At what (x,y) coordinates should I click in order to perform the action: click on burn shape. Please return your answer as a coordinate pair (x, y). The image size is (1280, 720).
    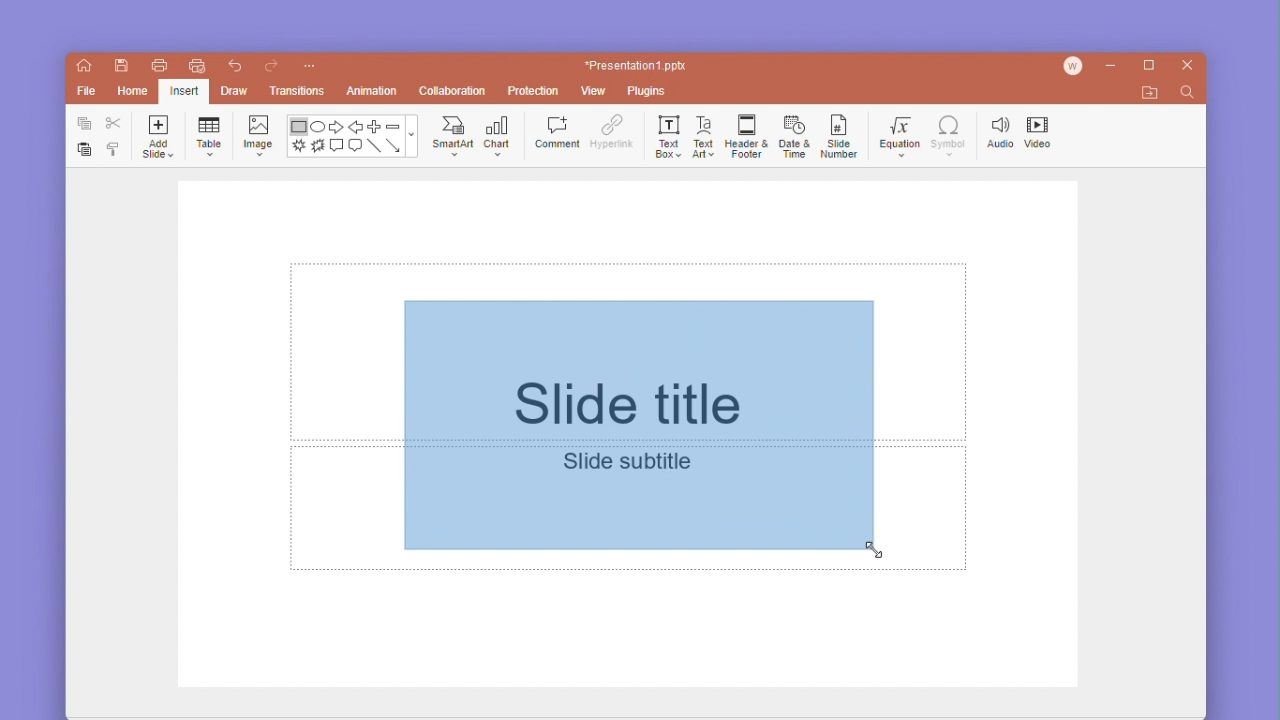
    Looking at the image, I should click on (318, 147).